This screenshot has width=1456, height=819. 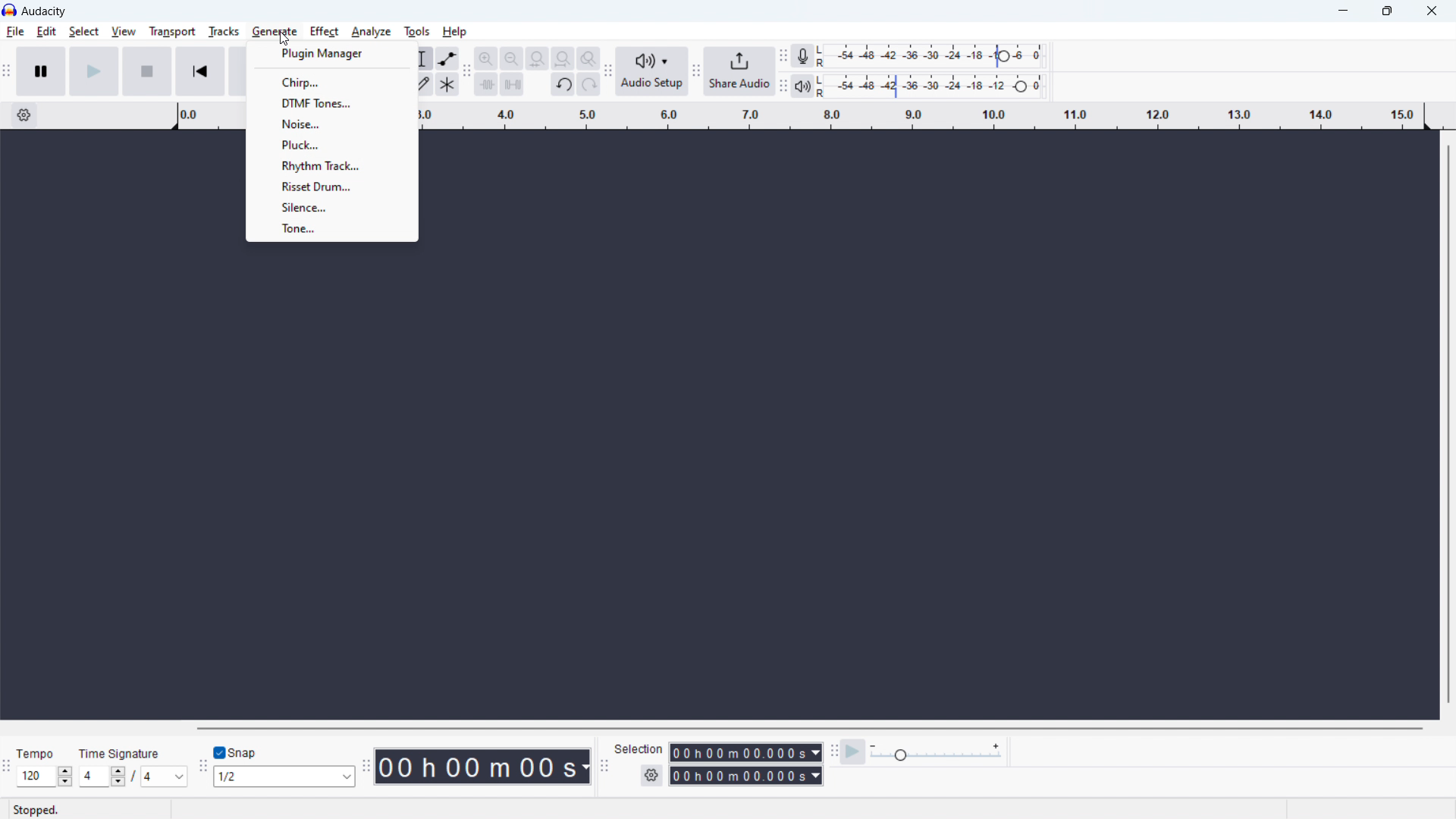 I want to click on noise..., so click(x=334, y=123).